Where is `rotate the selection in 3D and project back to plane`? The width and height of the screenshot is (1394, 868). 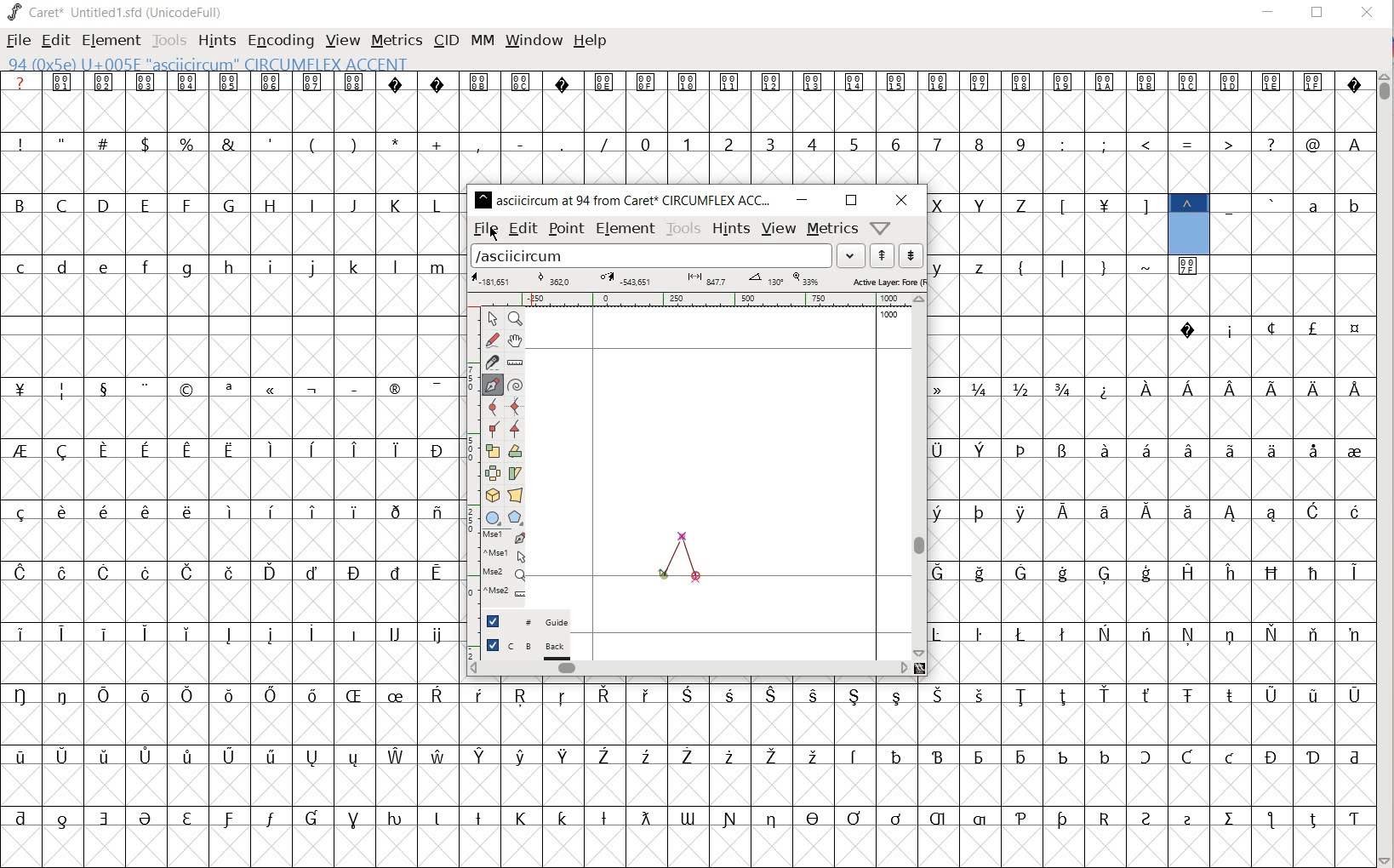
rotate the selection in 3D and project back to plane is located at coordinates (490, 494).